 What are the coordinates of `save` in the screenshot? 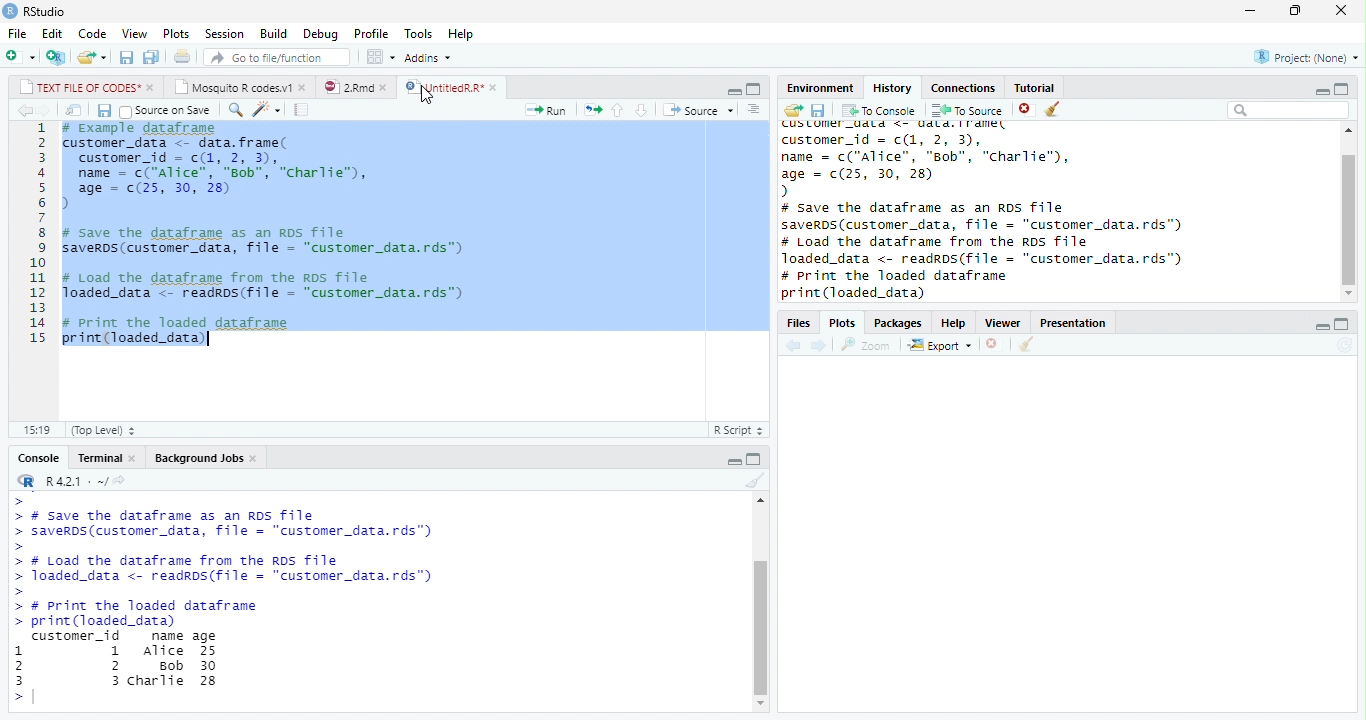 It's located at (819, 111).